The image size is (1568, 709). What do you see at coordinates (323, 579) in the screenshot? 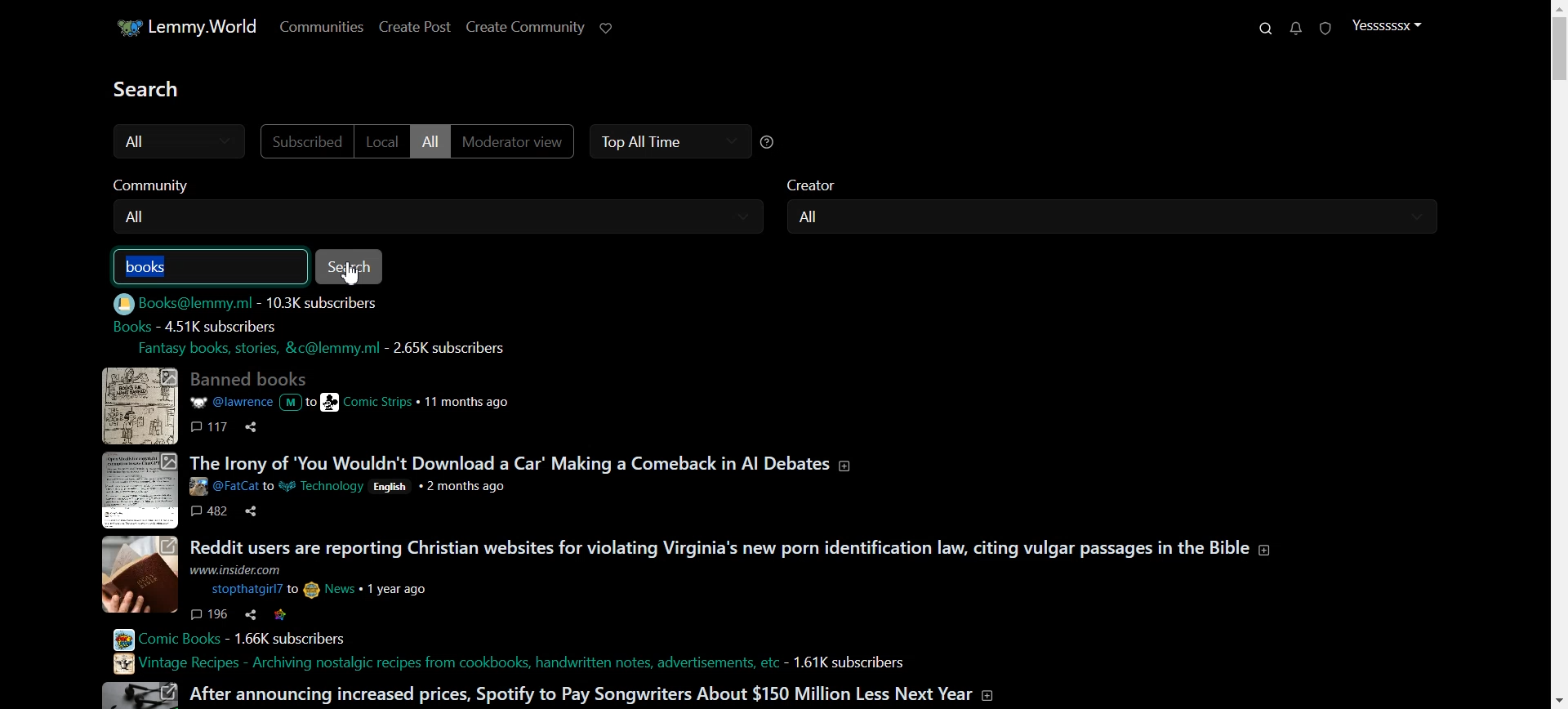
I see `post details` at bounding box center [323, 579].